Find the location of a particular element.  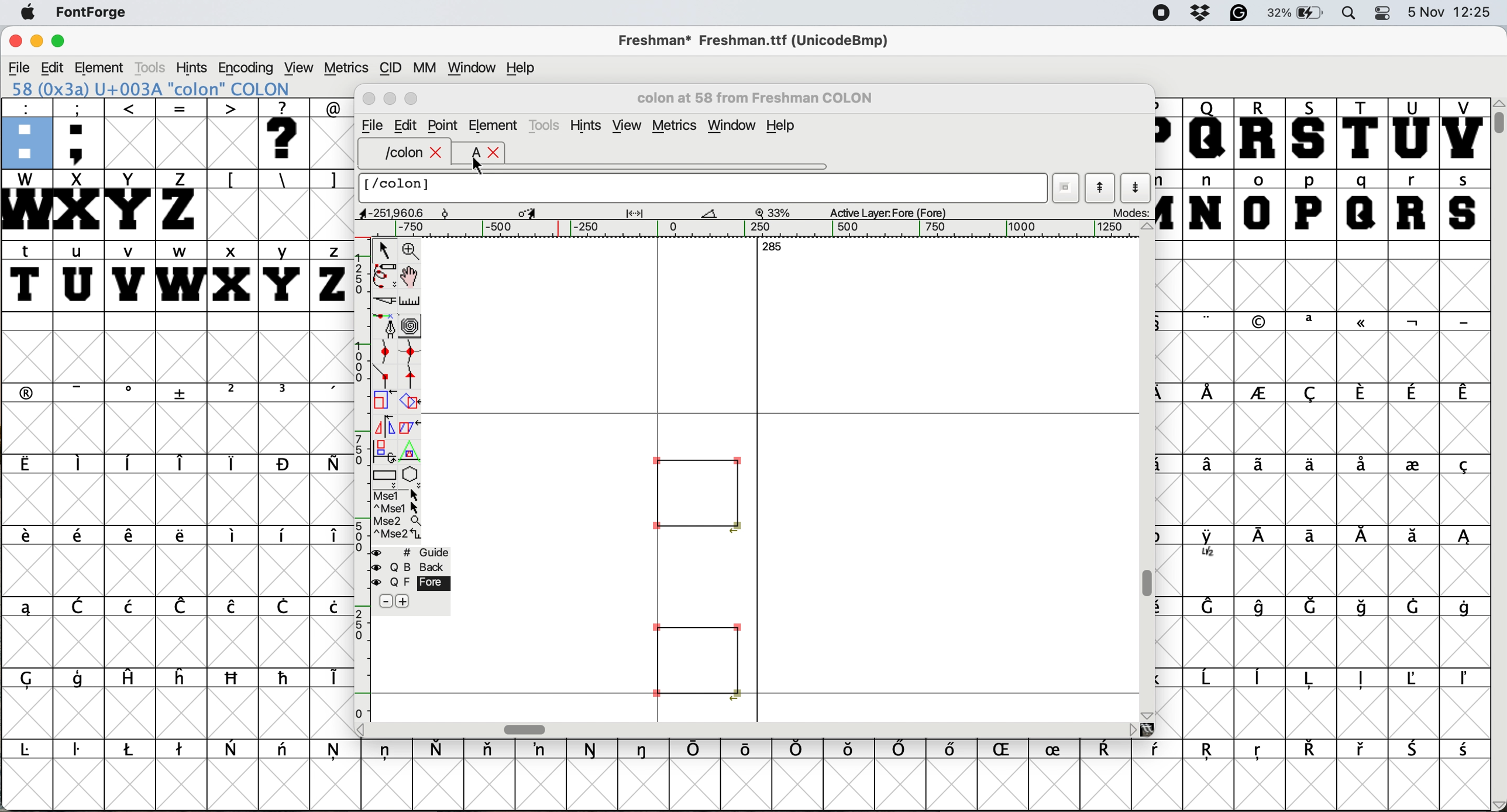

Y is located at coordinates (130, 204).